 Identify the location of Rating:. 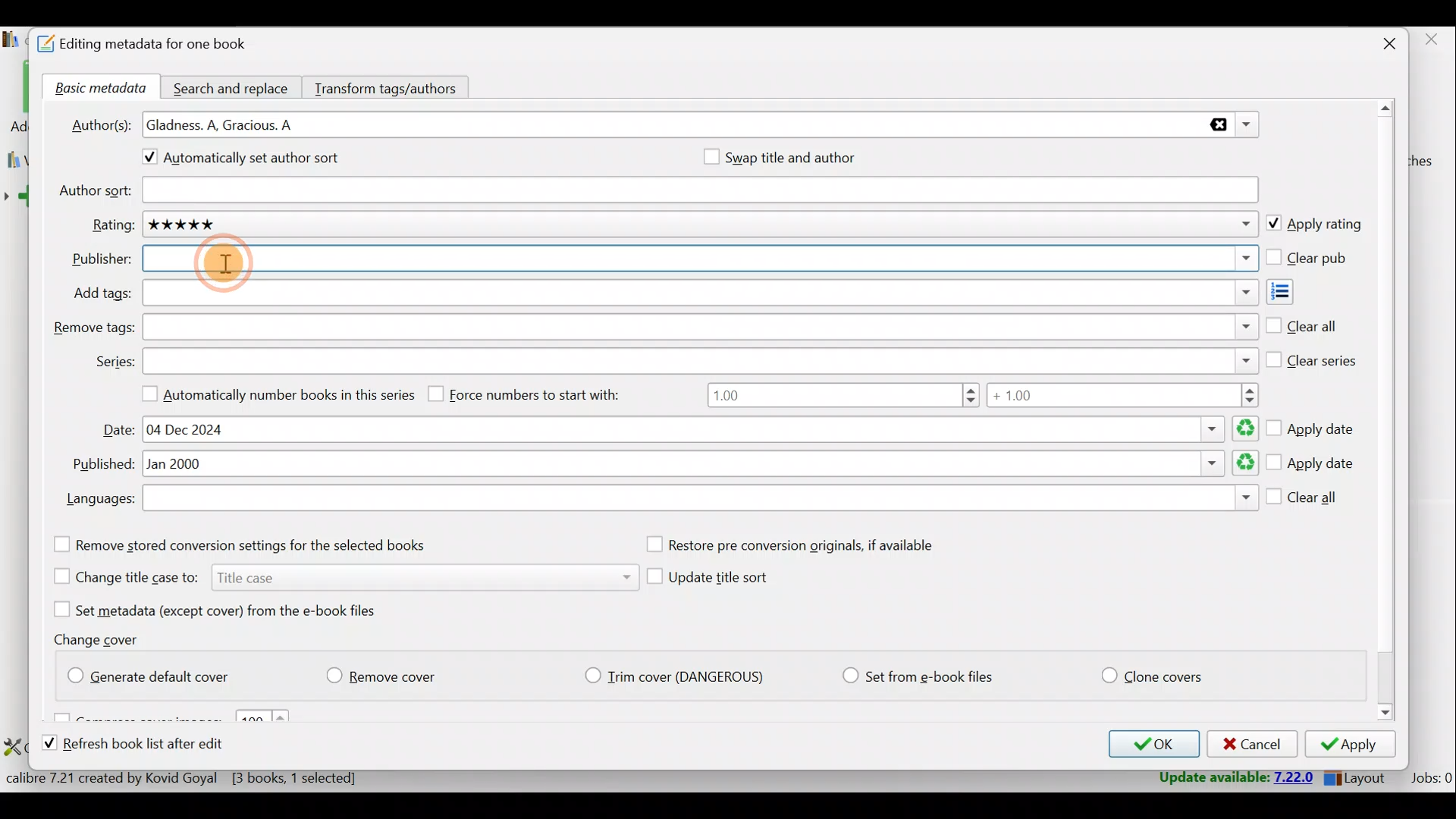
(112, 225).